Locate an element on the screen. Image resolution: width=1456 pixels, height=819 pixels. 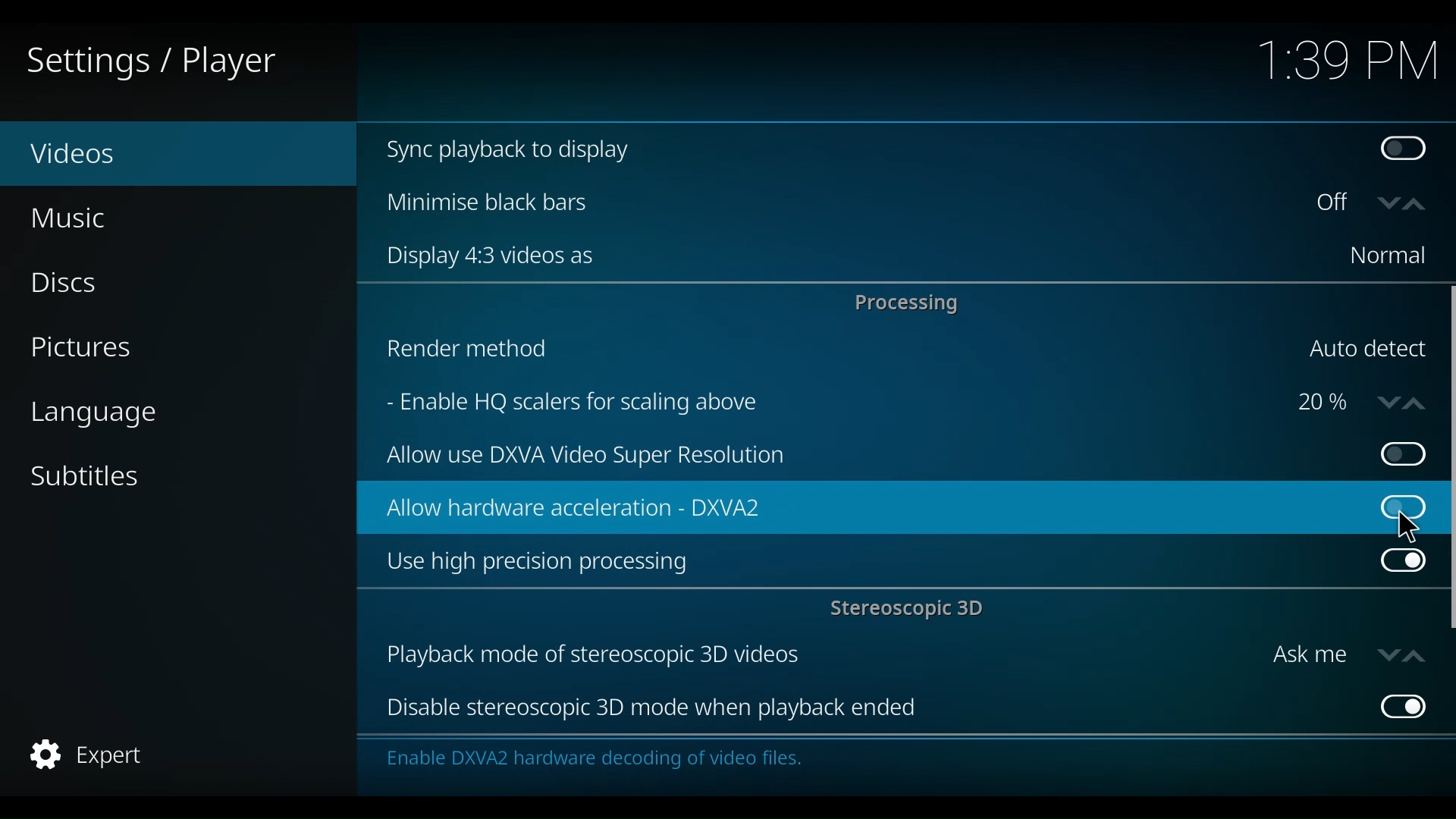
Cursor is located at coordinates (1414, 529).